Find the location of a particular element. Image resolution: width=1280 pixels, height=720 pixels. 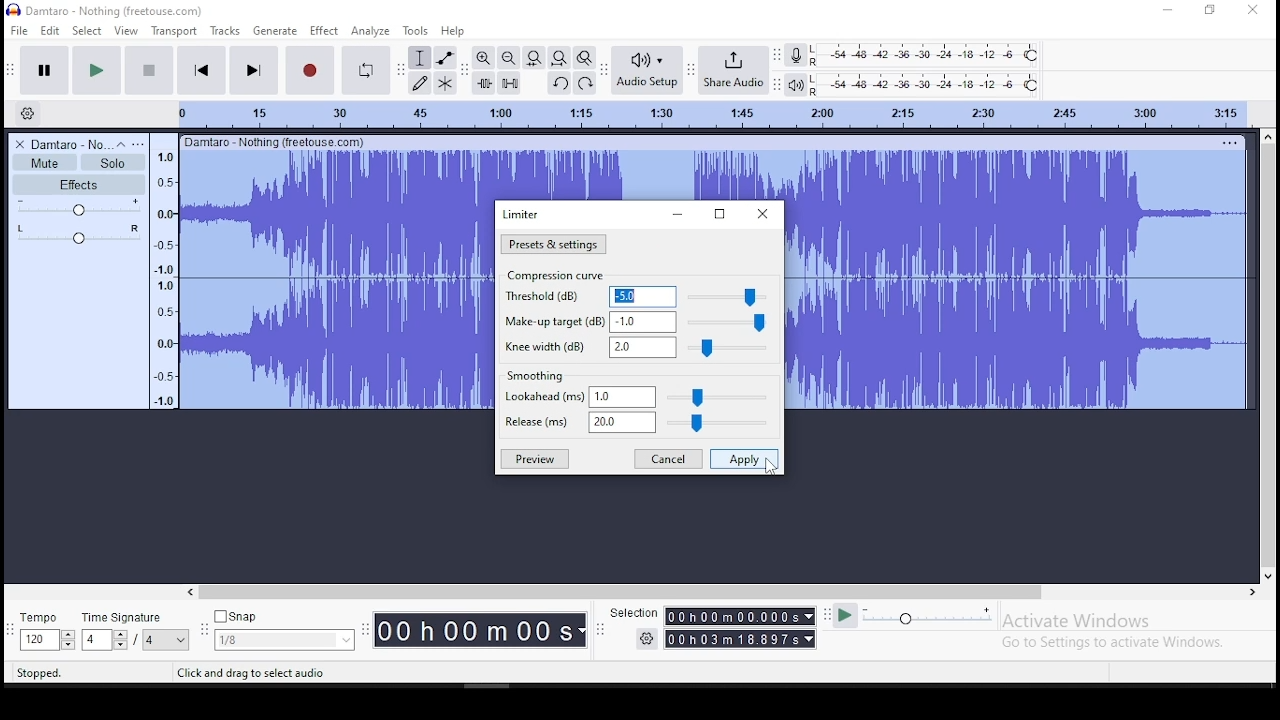

playback speed is located at coordinates (913, 618).